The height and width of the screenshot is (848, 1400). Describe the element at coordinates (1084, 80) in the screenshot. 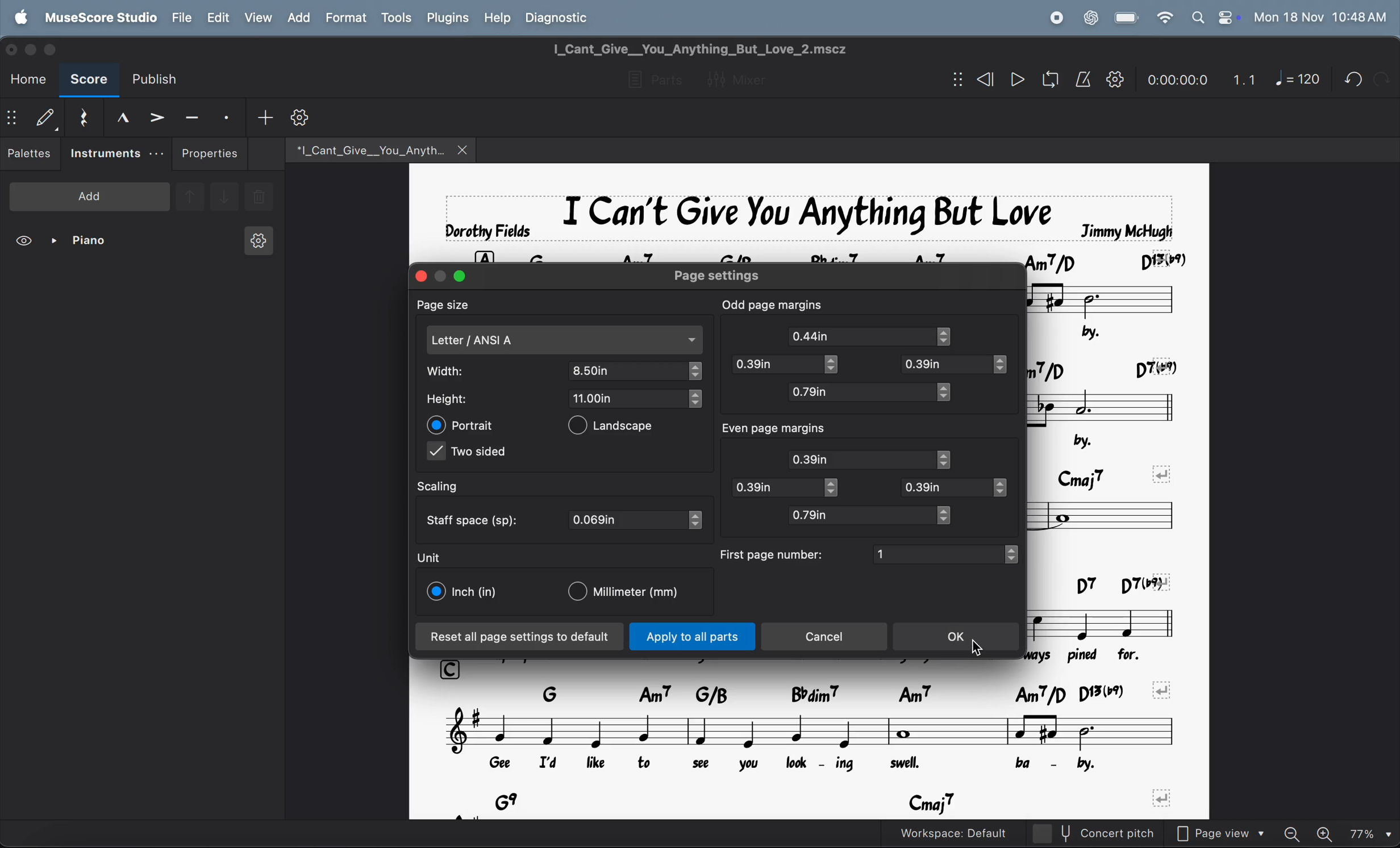

I see `metronome` at that location.